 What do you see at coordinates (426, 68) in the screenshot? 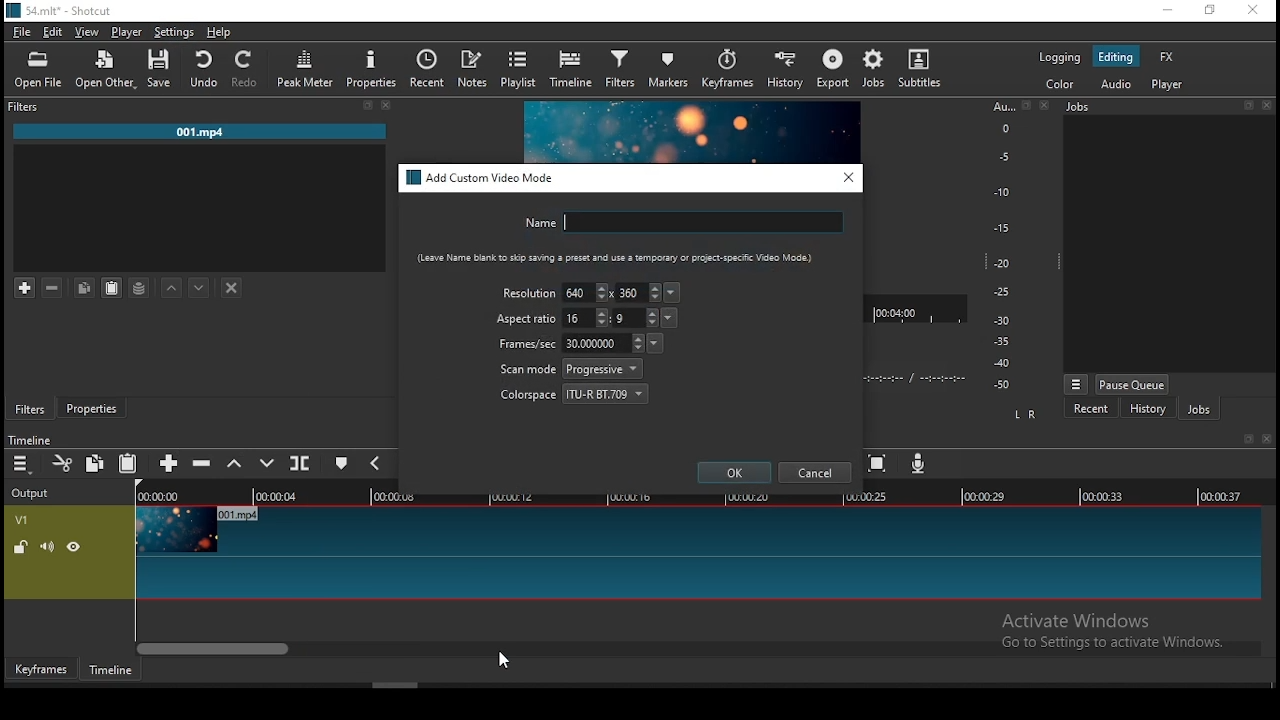
I see `recent` at bounding box center [426, 68].